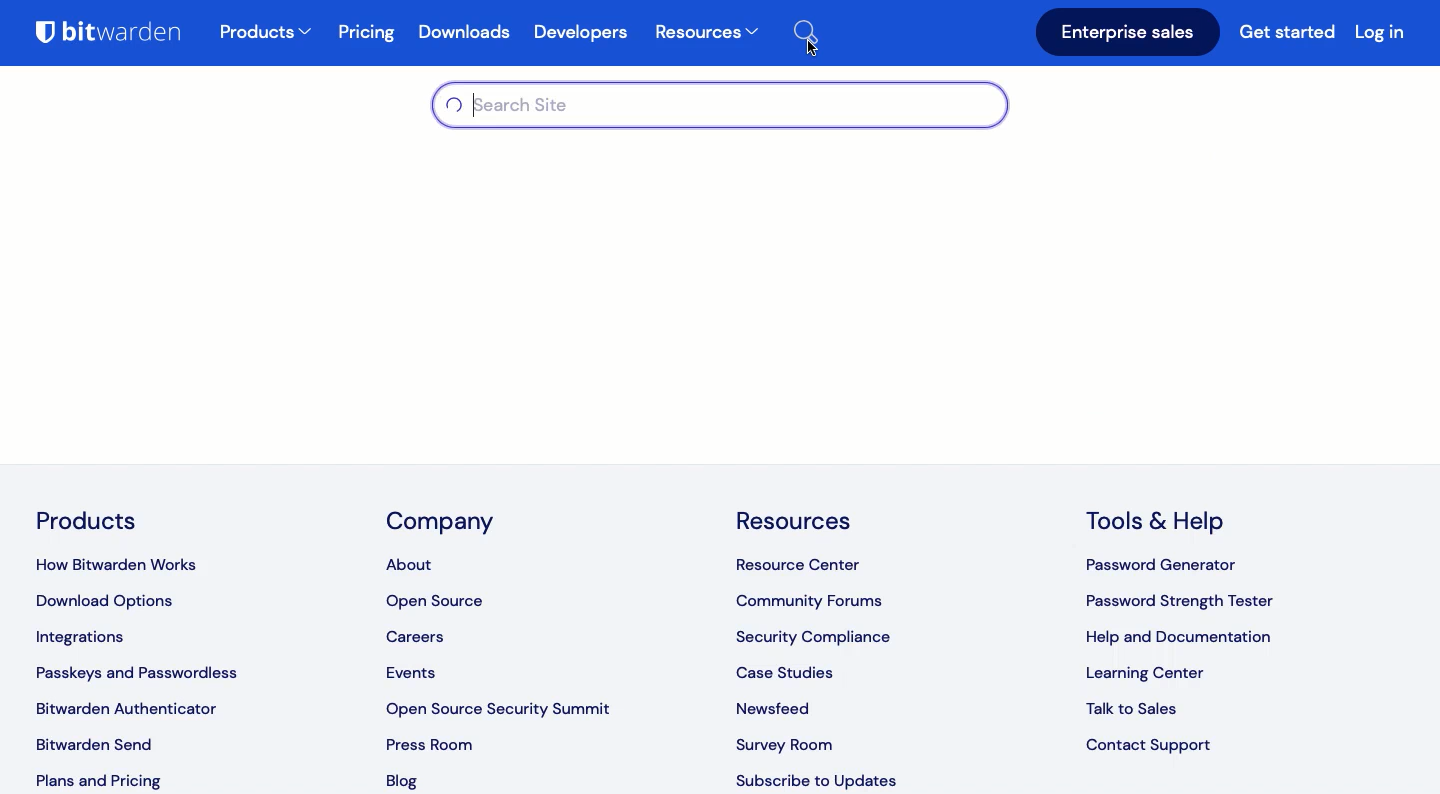 The height and width of the screenshot is (794, 1440). Describe the element at coordinates (778, 703) in the screenshot. I see `newsfeed` at that location.